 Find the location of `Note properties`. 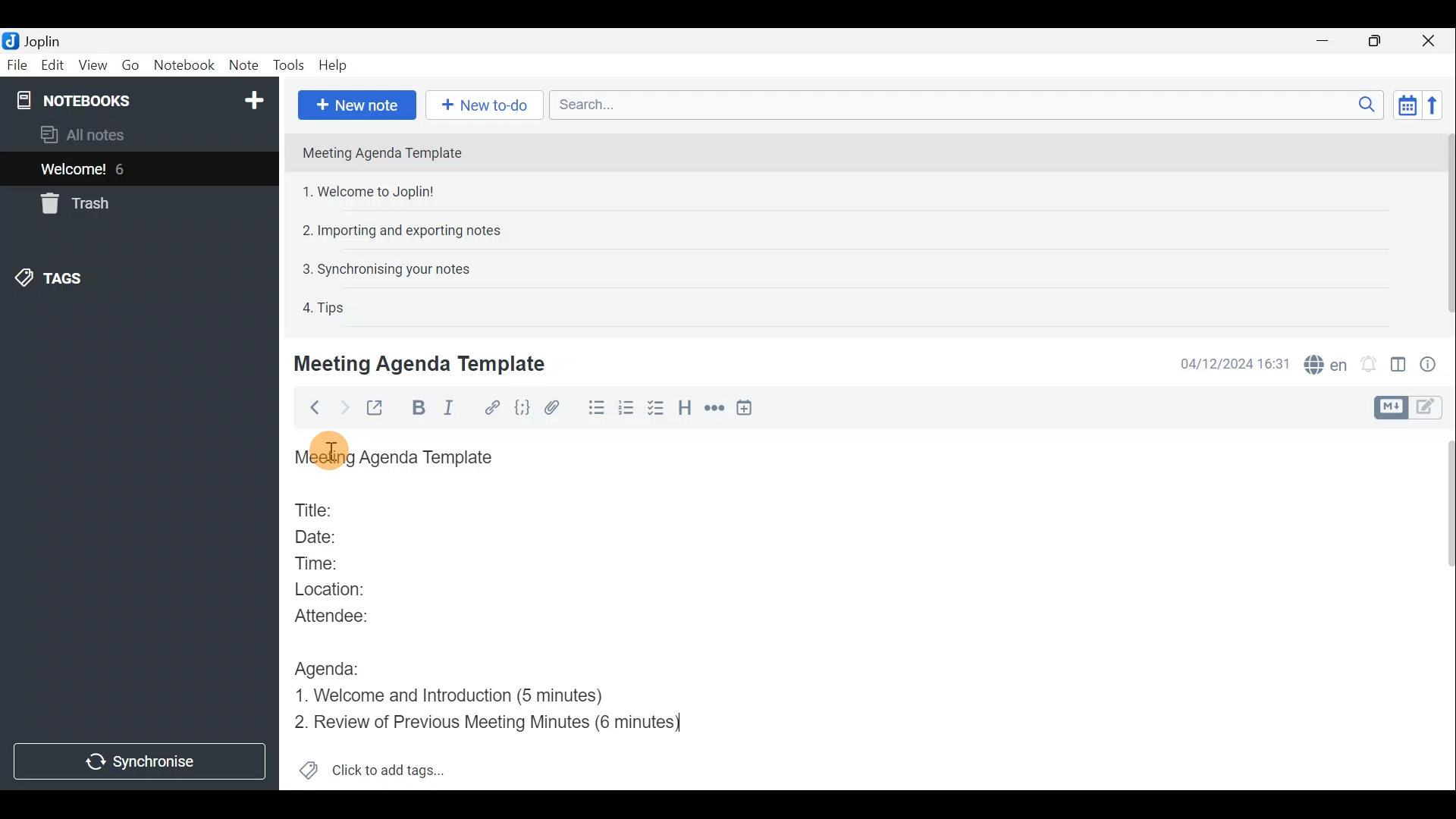

Note properties is located at coordinates (1433, 363).